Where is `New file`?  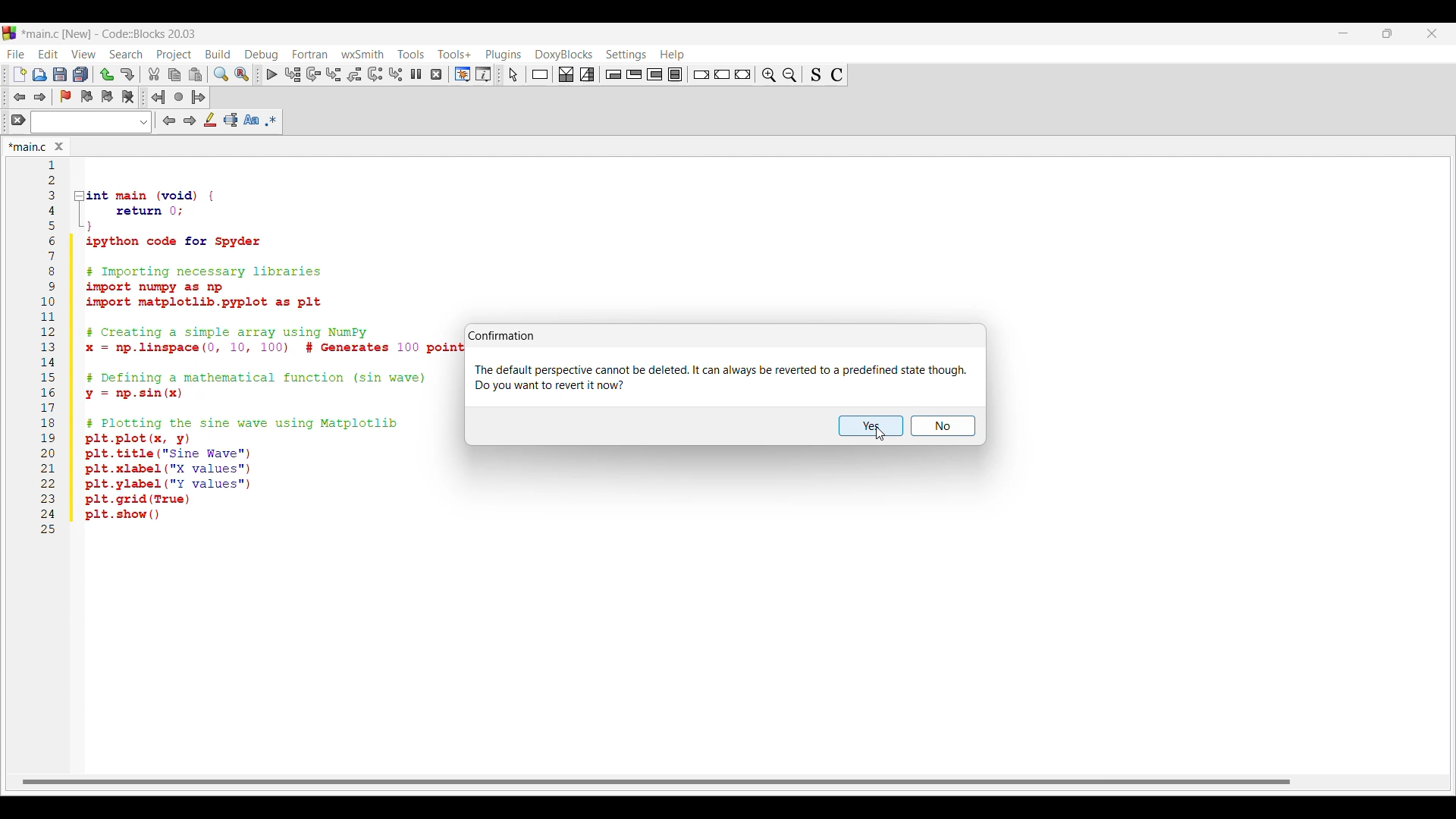
New file is located at coordinates (19, 74).